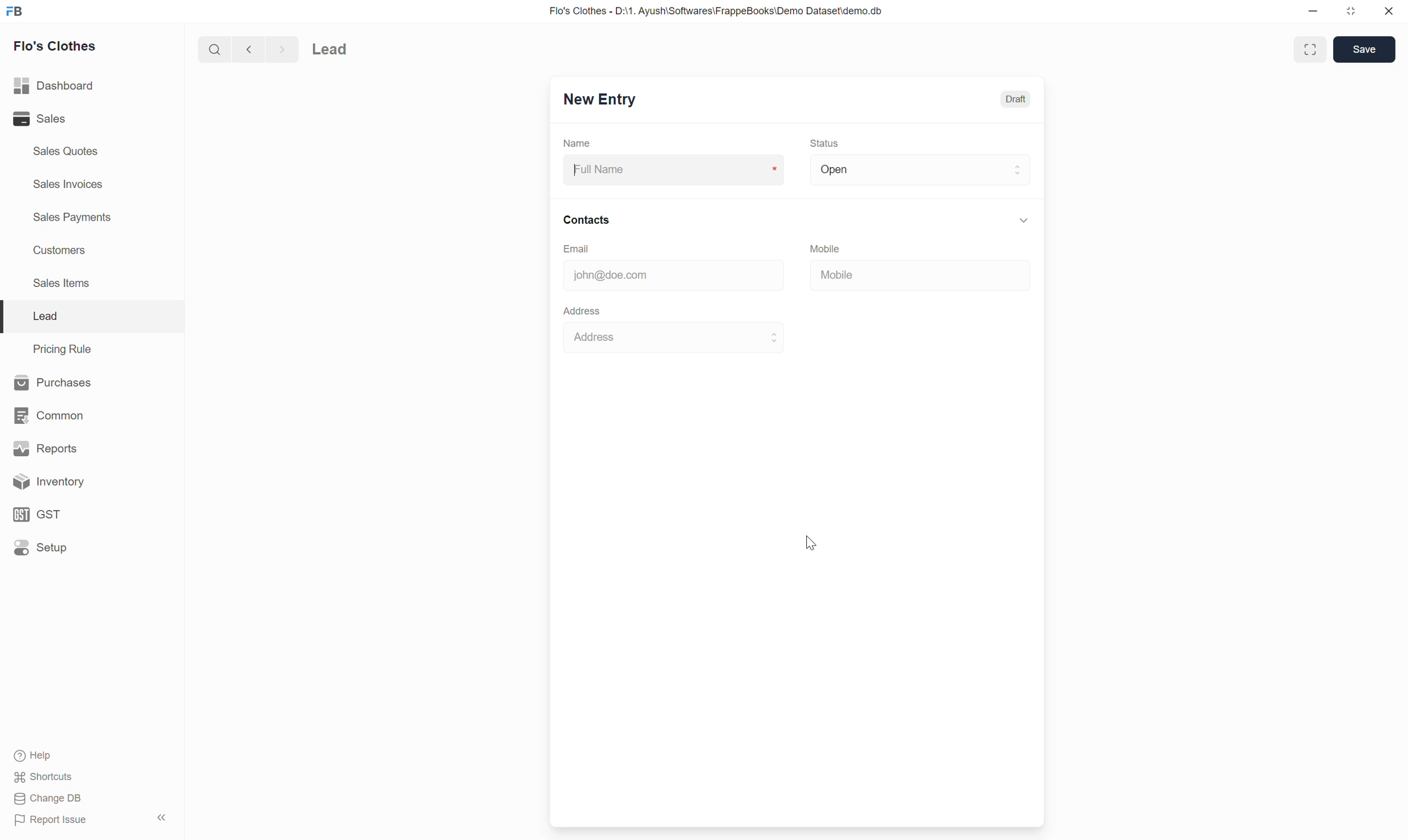 The height and width of the screenshot is (840, 1408). Describe the element at coordinates (48, 415) in the screenshot. I see ` Common` at that location.